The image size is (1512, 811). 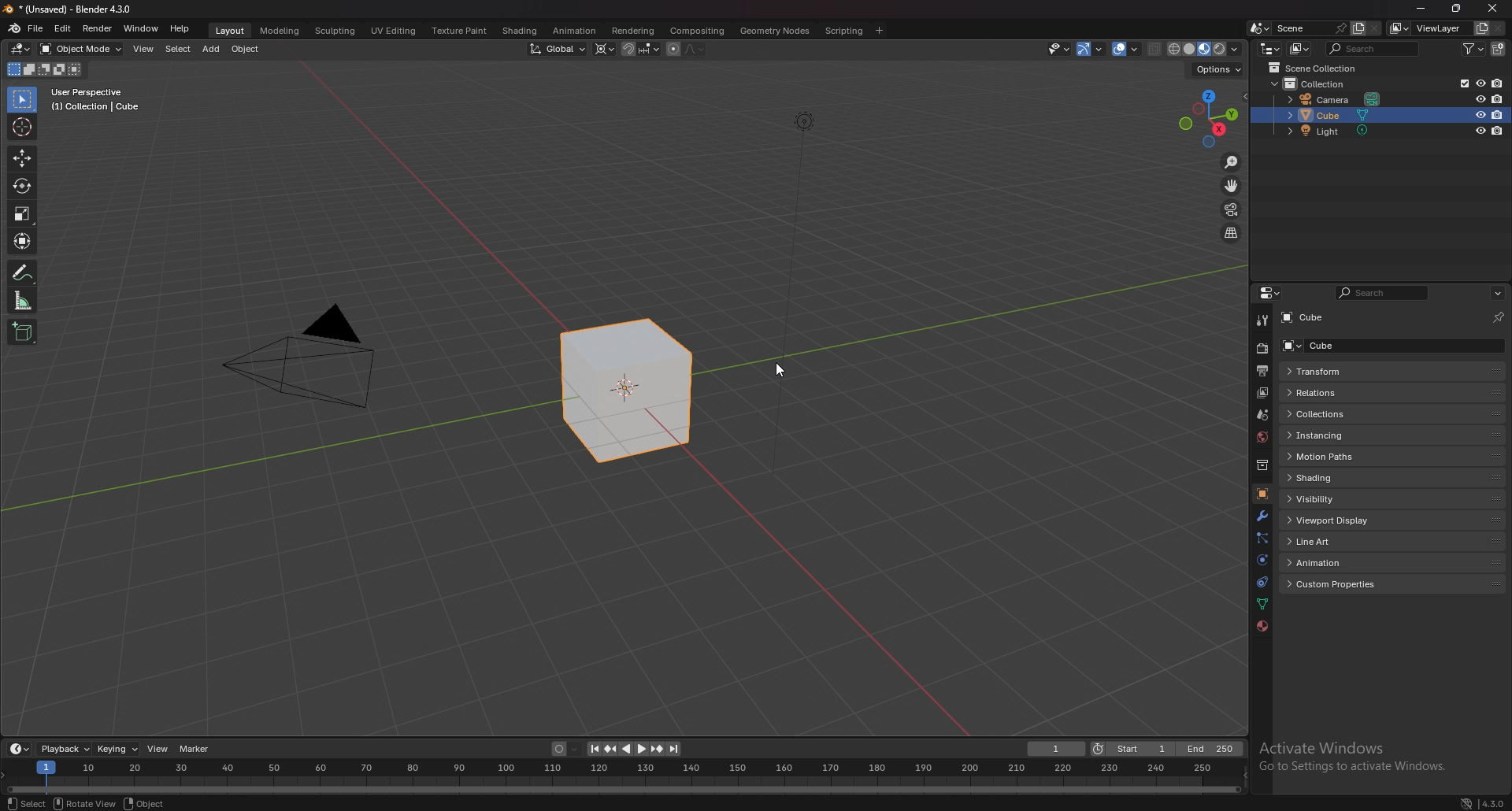 I want to click on auto keying, so click(x=566, y=749).